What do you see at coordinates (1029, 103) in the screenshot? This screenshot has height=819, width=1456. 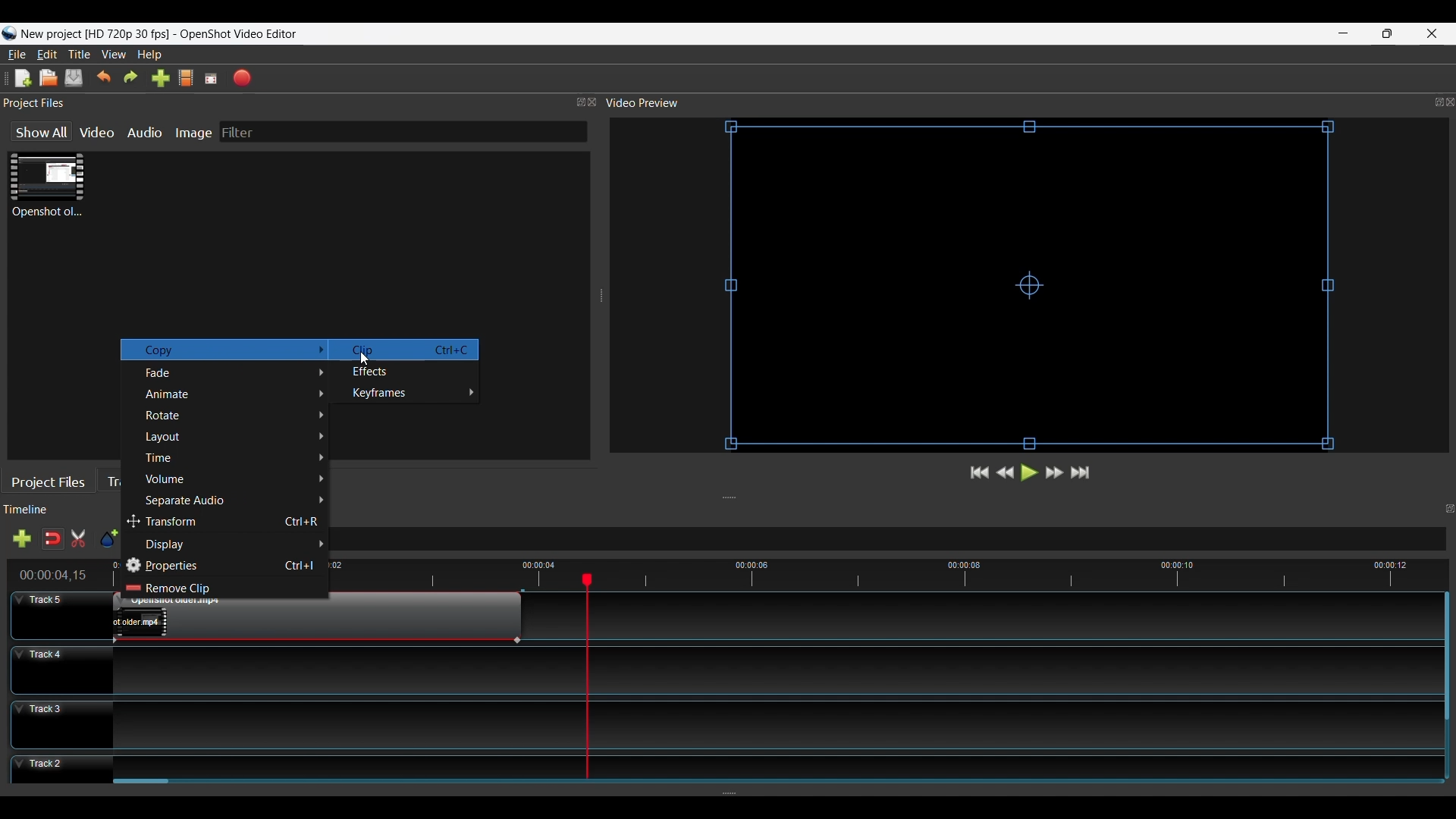 I see `Video Preview` at bounding box center [1029, 103].